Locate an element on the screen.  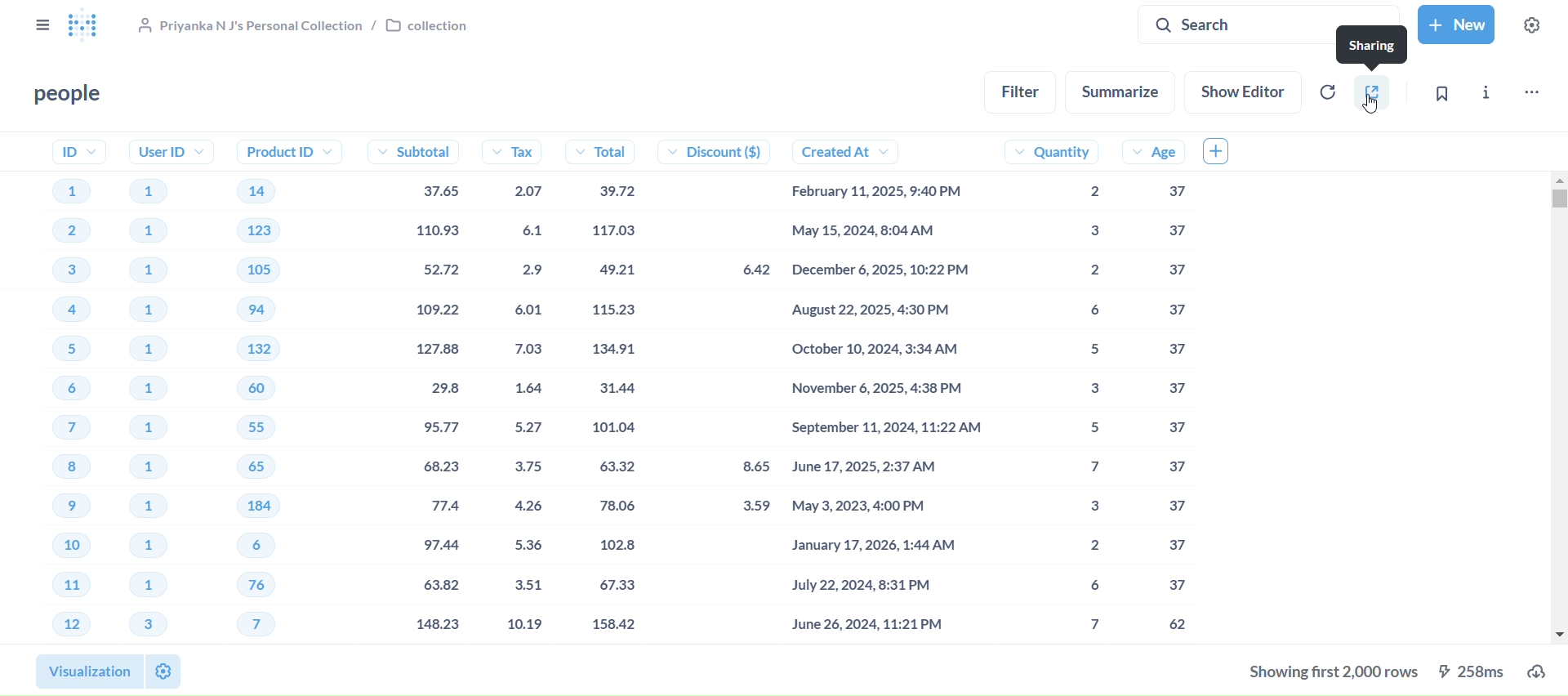
product ID's is located at coordinates (279, 387).